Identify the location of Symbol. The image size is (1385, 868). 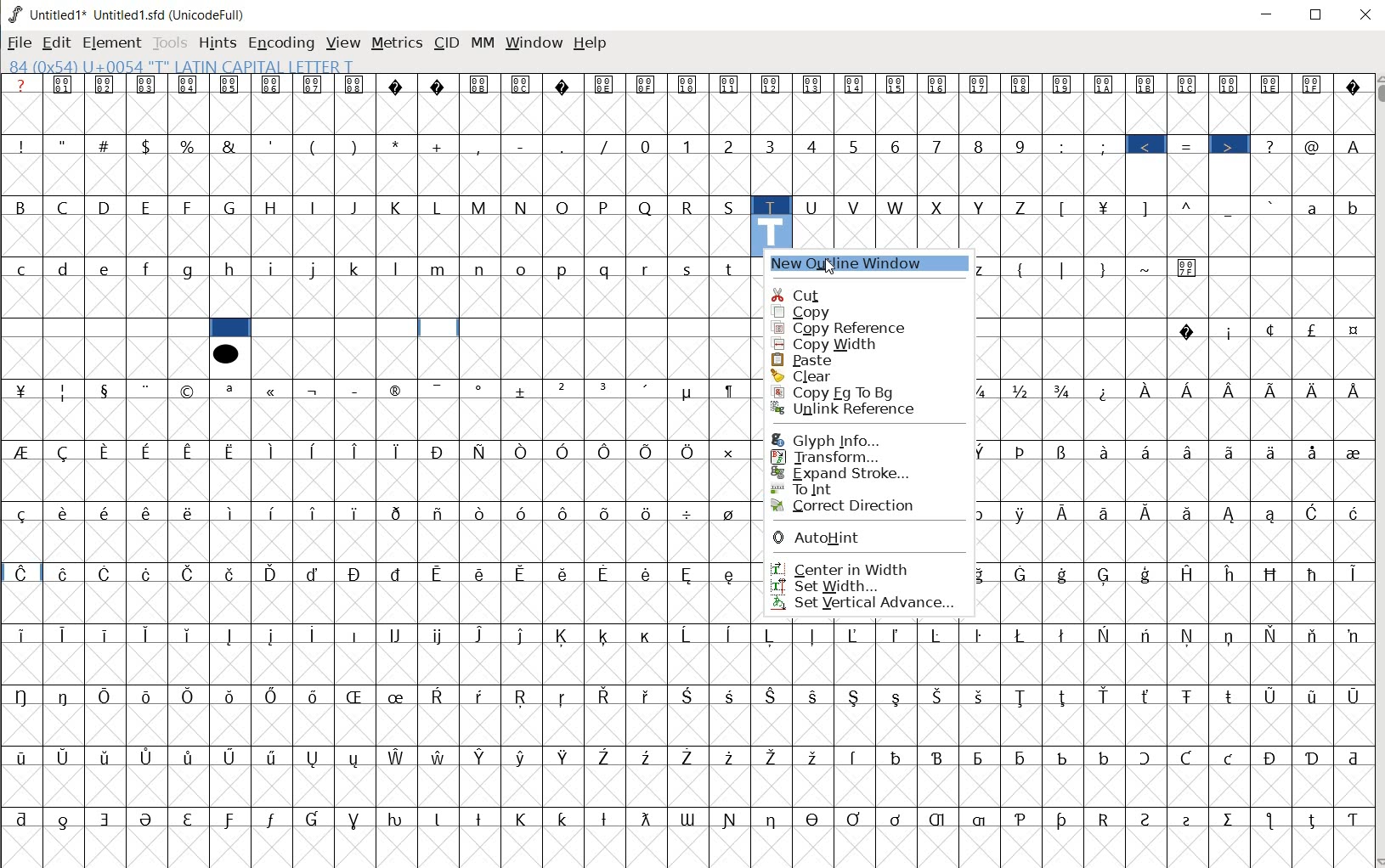
(188, 635).